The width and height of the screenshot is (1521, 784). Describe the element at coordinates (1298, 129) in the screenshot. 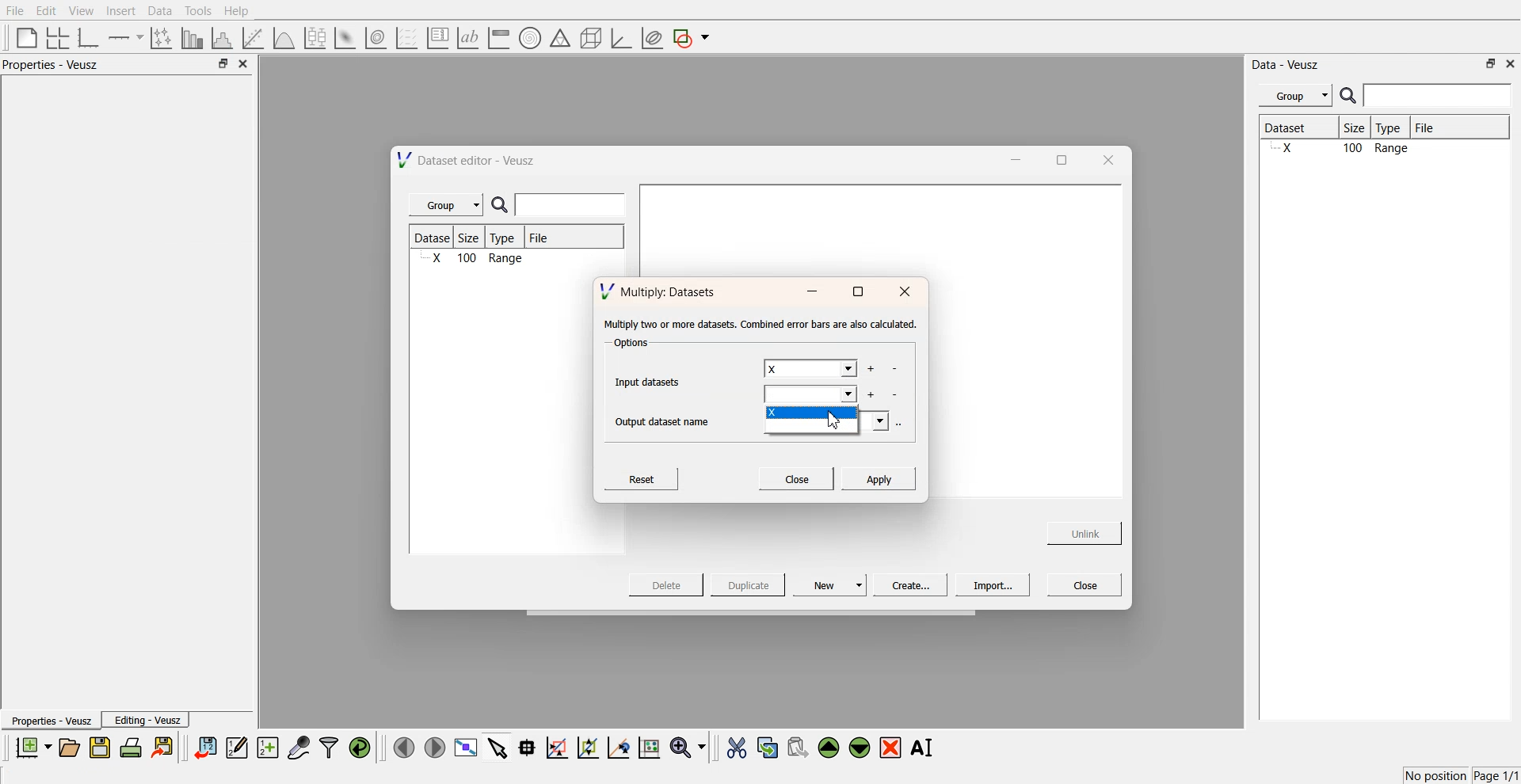

I see `Dataset` at that location.